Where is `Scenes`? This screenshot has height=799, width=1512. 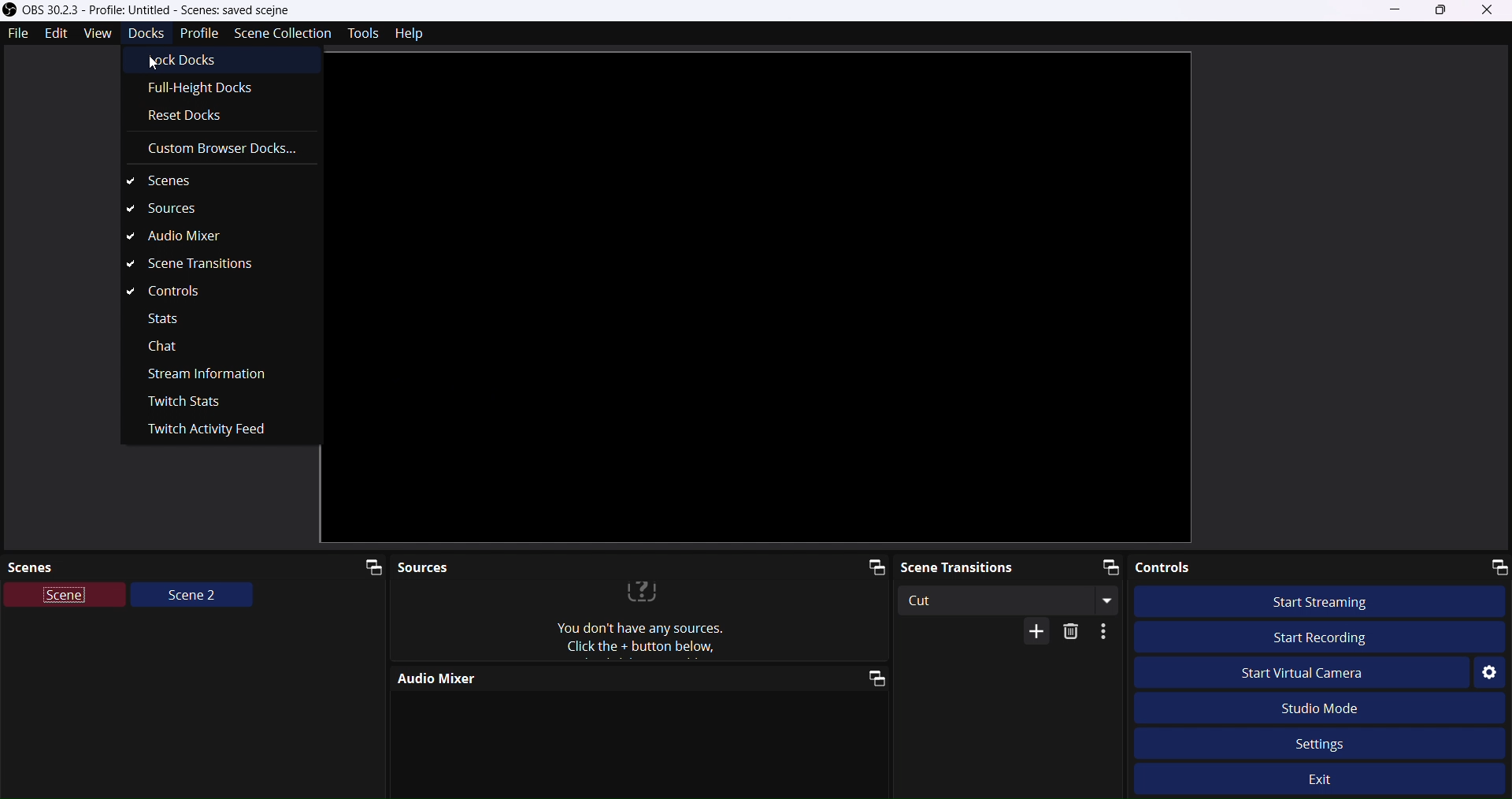
Scenes is located at coordinates (216, 185).